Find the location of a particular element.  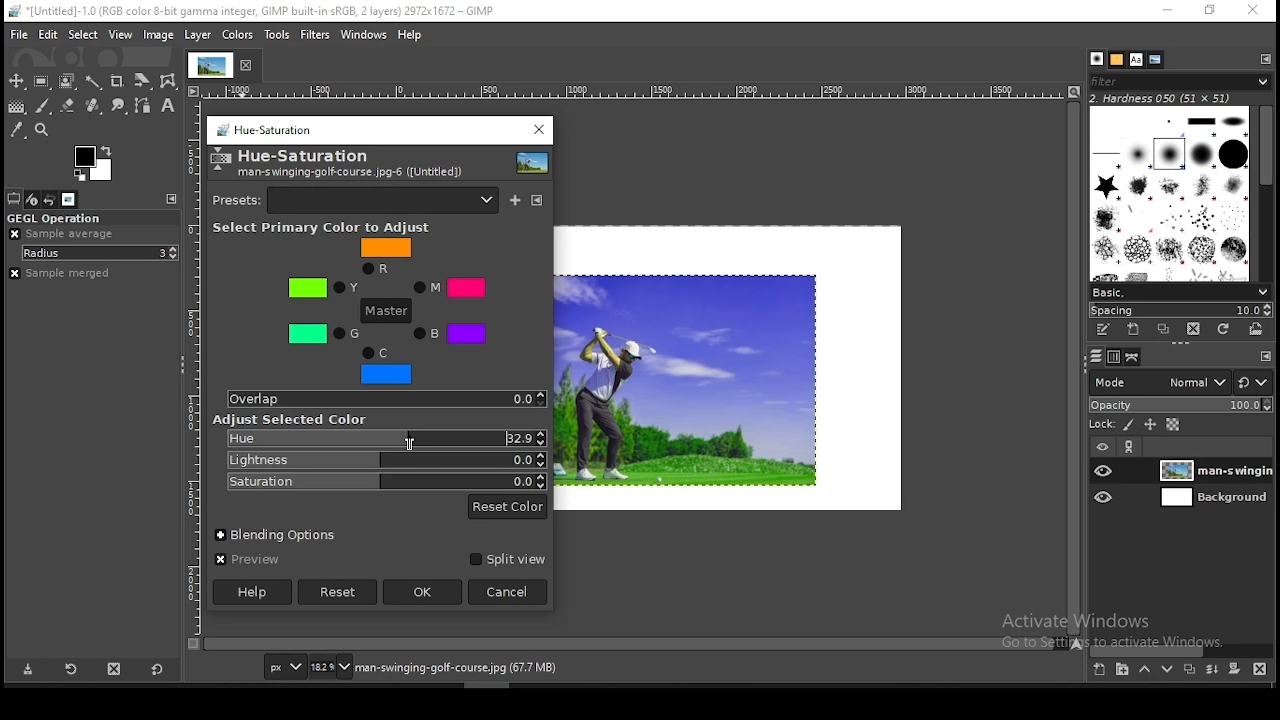

reset is located at coordinates (336, 593).